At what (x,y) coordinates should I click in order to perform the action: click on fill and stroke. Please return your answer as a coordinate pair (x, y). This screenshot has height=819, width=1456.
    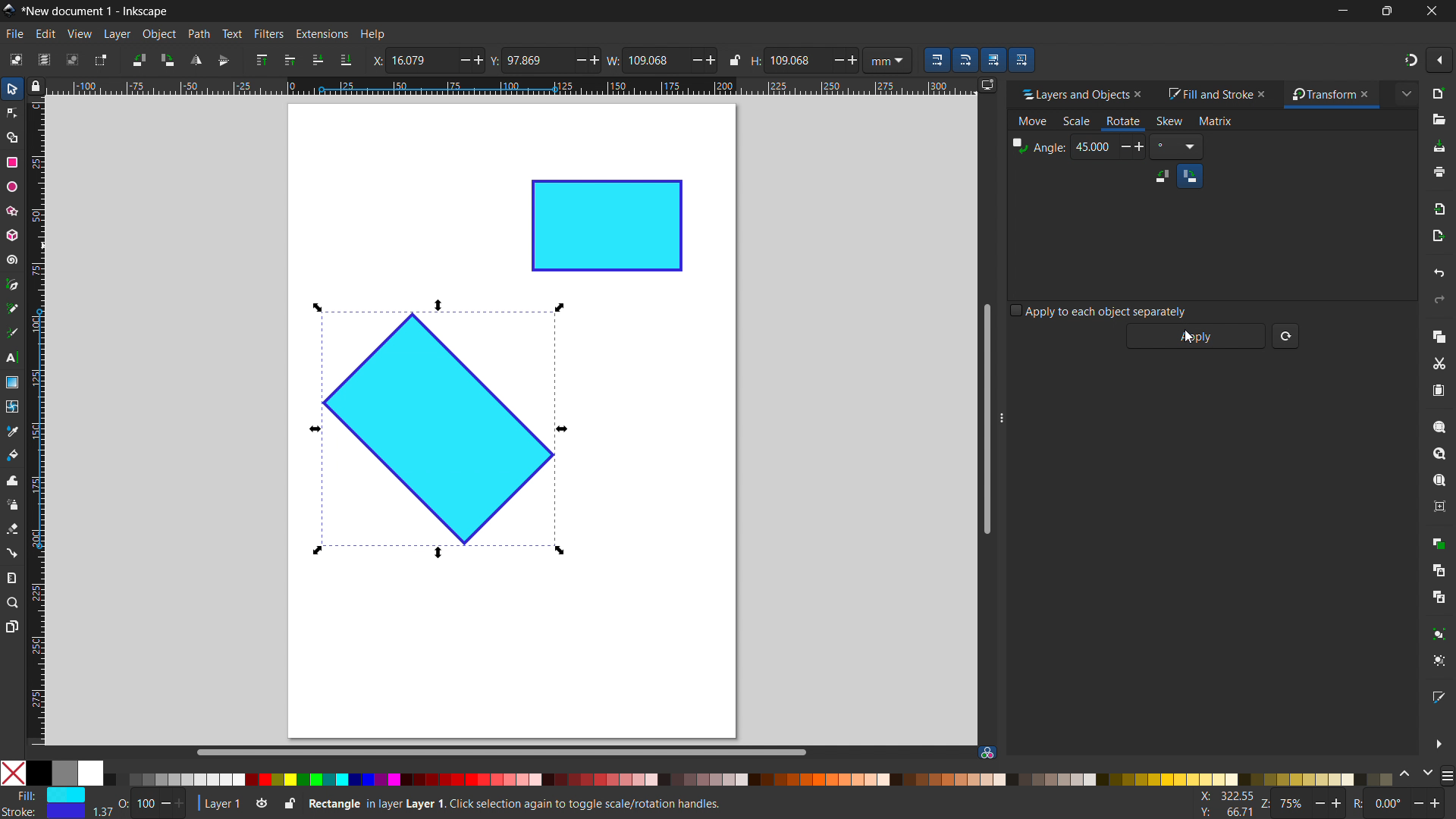
    Looking at the image, I should click on (1208, 95).